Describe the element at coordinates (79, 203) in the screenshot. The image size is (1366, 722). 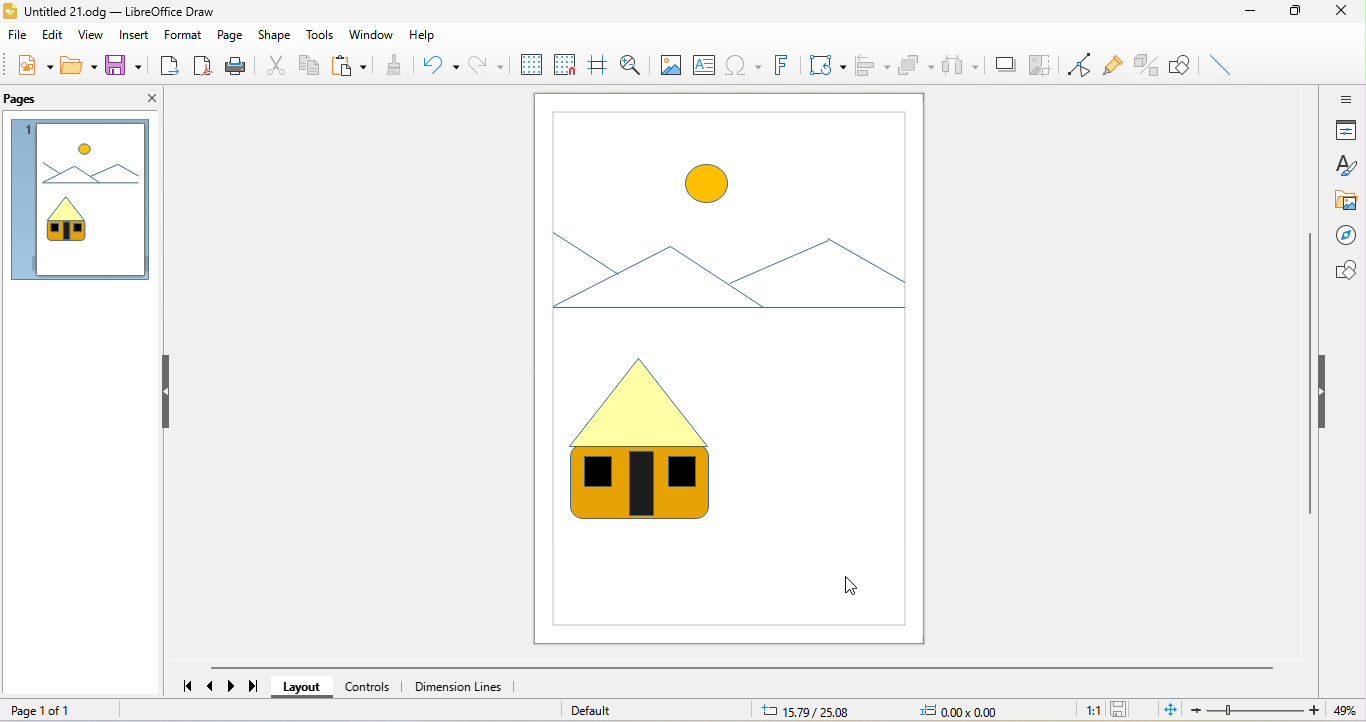
I see `page preview` at that location.